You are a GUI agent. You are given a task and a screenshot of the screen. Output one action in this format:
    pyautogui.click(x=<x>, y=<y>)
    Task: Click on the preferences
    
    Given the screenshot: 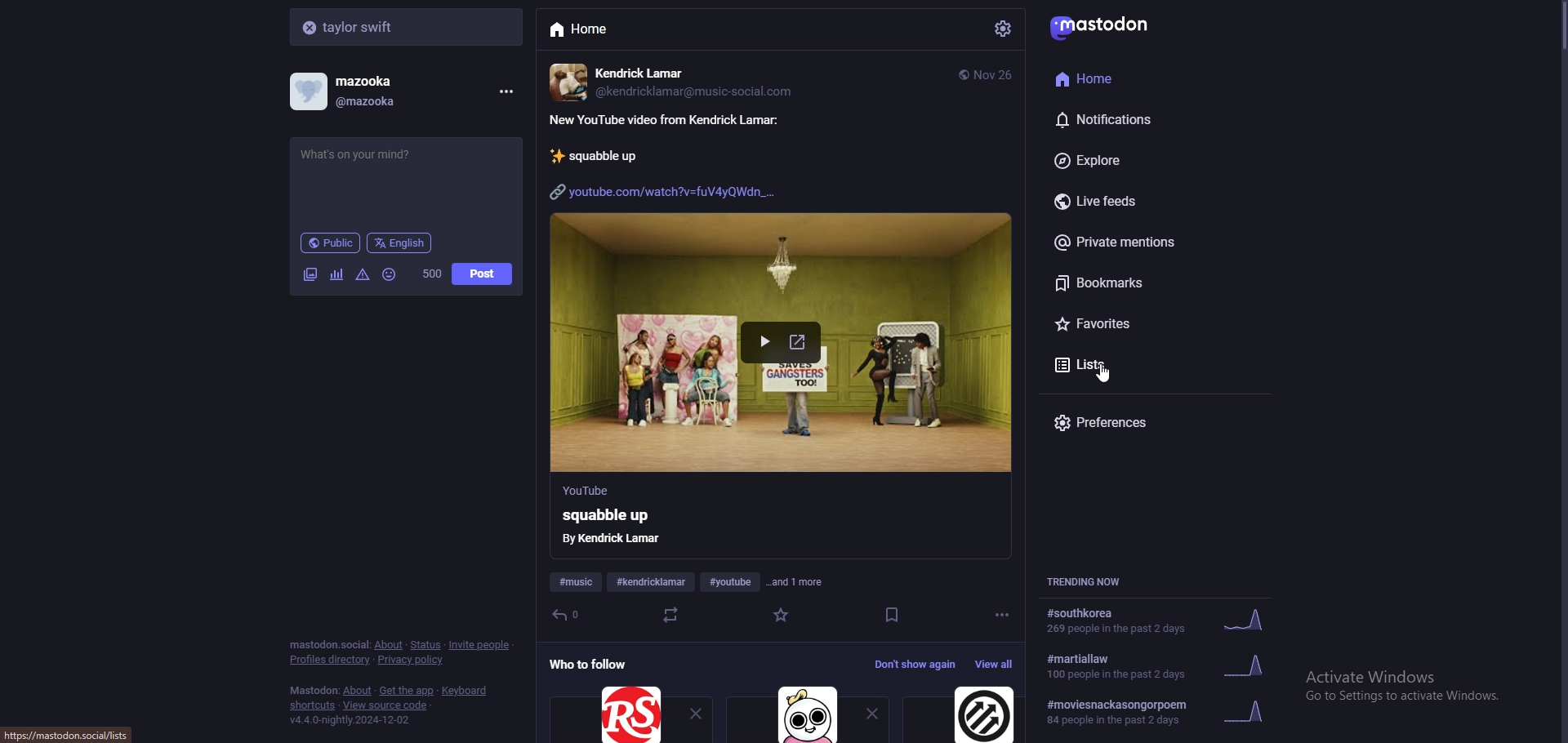 What is the action you would take?
    pyautogui.click(x=1160, y=422)
    